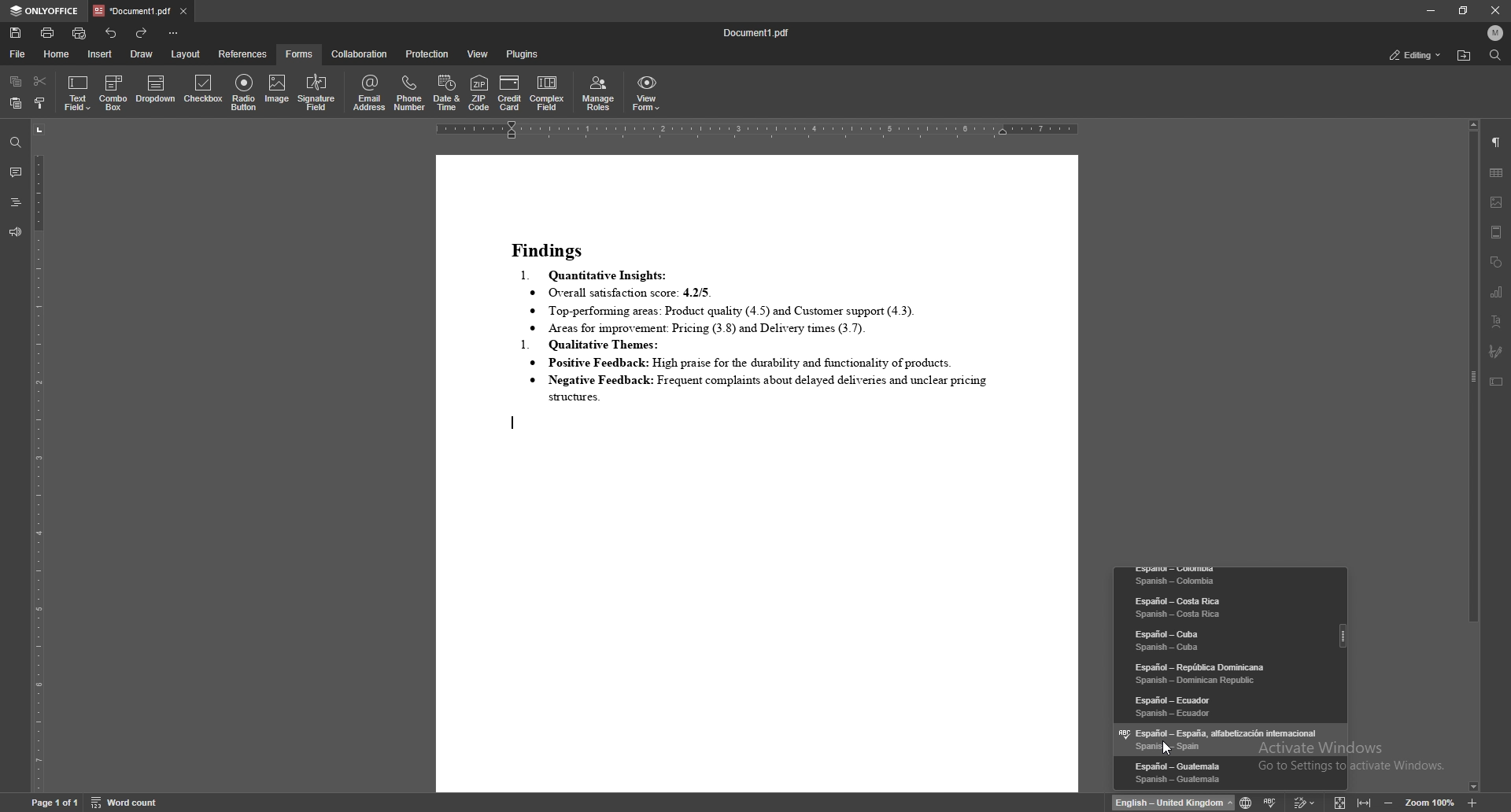  Describe the element at coordinates (1431, 802) in the screenshot. I see `zoom` at that location.